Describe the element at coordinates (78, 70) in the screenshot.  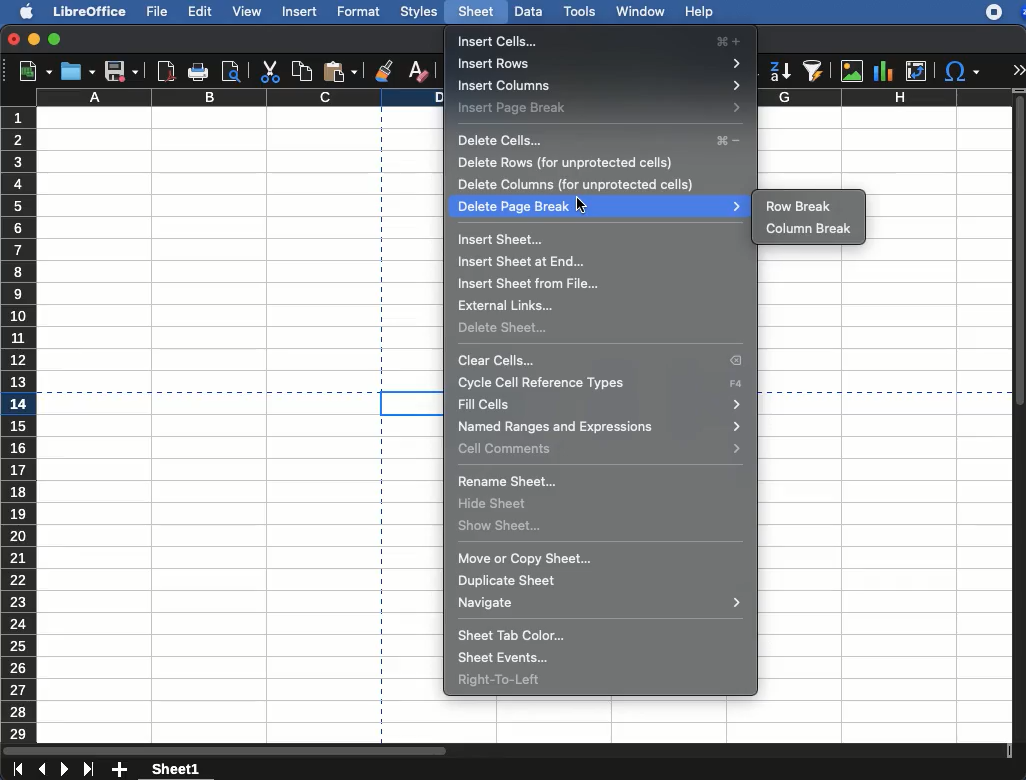
I see `open` at that location.